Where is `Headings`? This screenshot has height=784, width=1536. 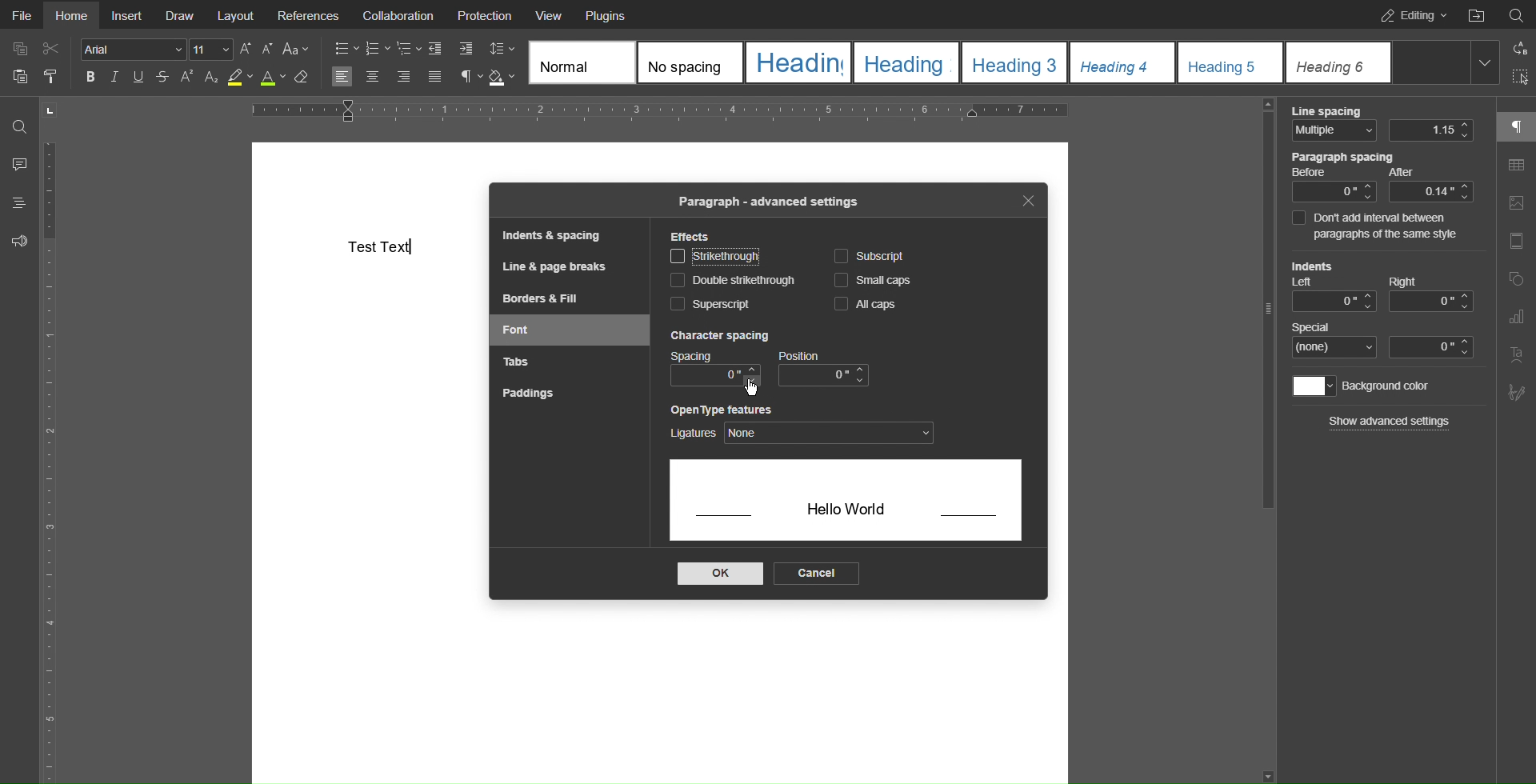 Headings is located at coordinates (18, 202).